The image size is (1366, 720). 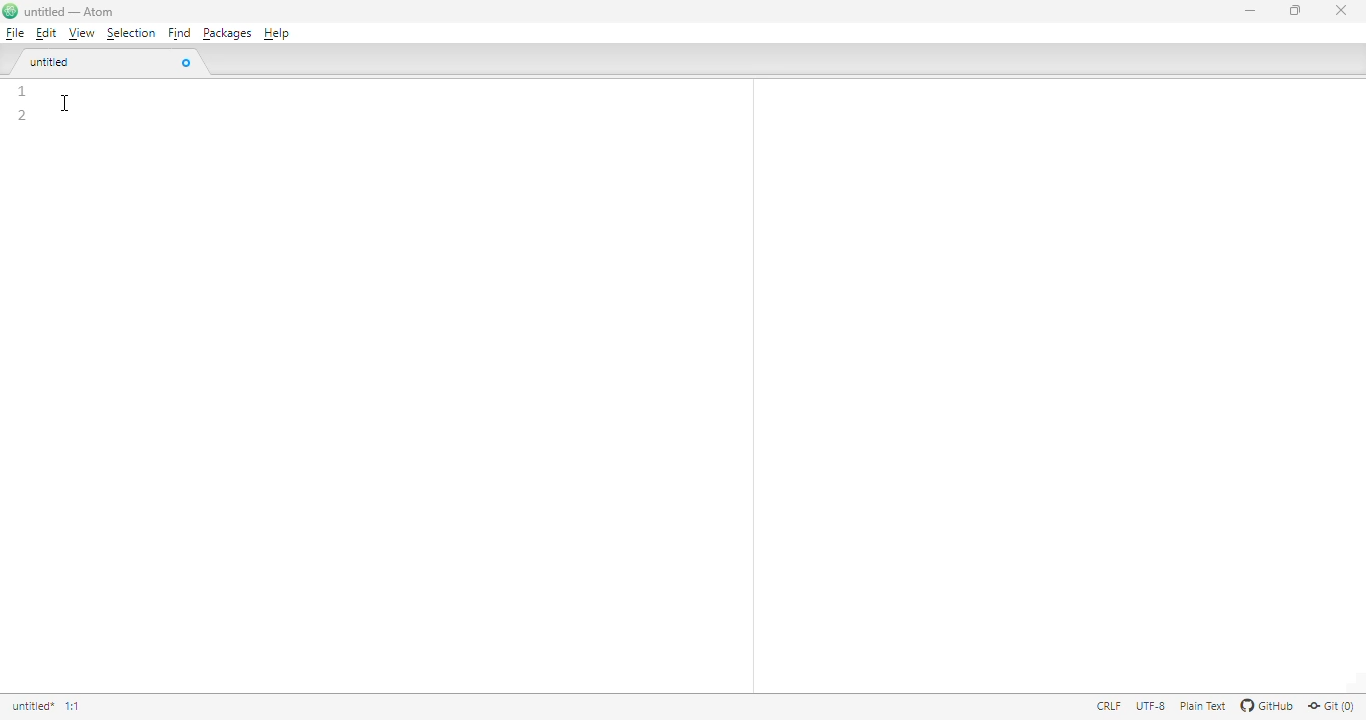 What do you see at coordinates (1251, 11) in the screenshot?
I see `minimize` at bounding box center [1251, 11].